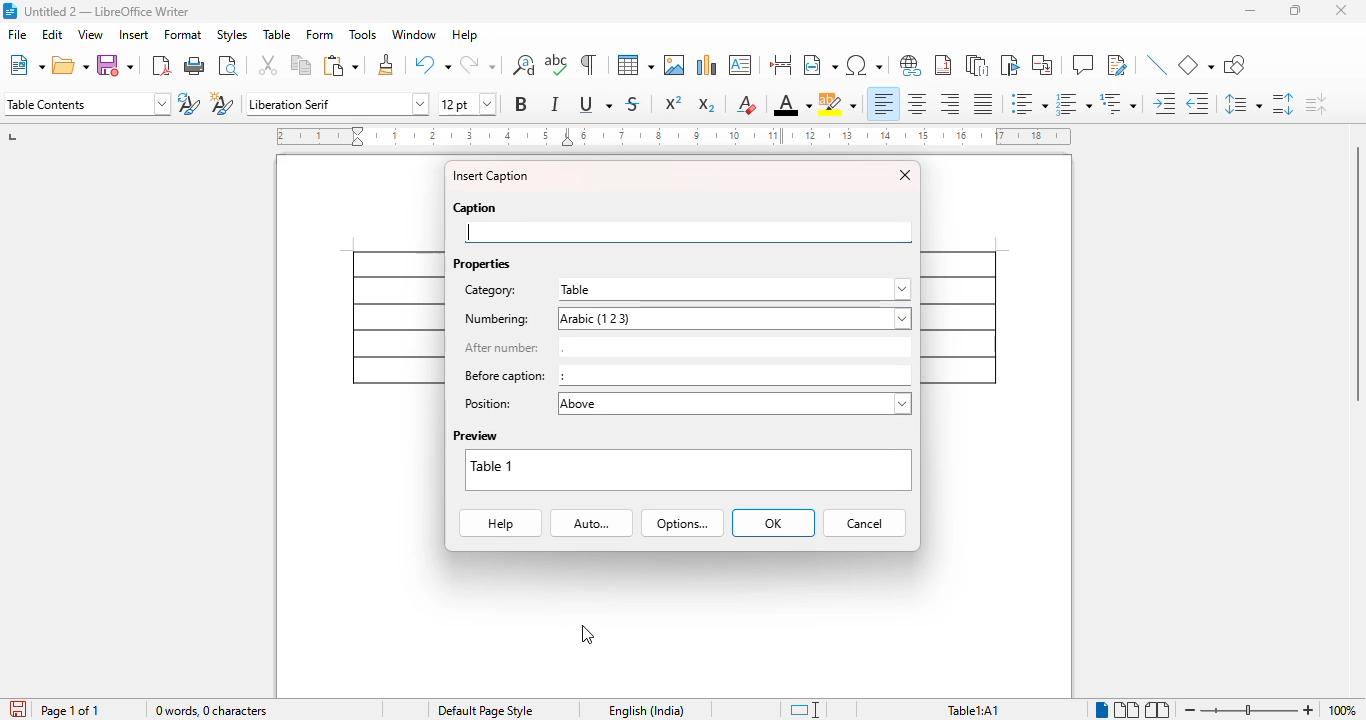 This screenshot has width=1366, height=720. Describe the element at coordinates (647, 711) in the screenshot. I see `text language` at that location.